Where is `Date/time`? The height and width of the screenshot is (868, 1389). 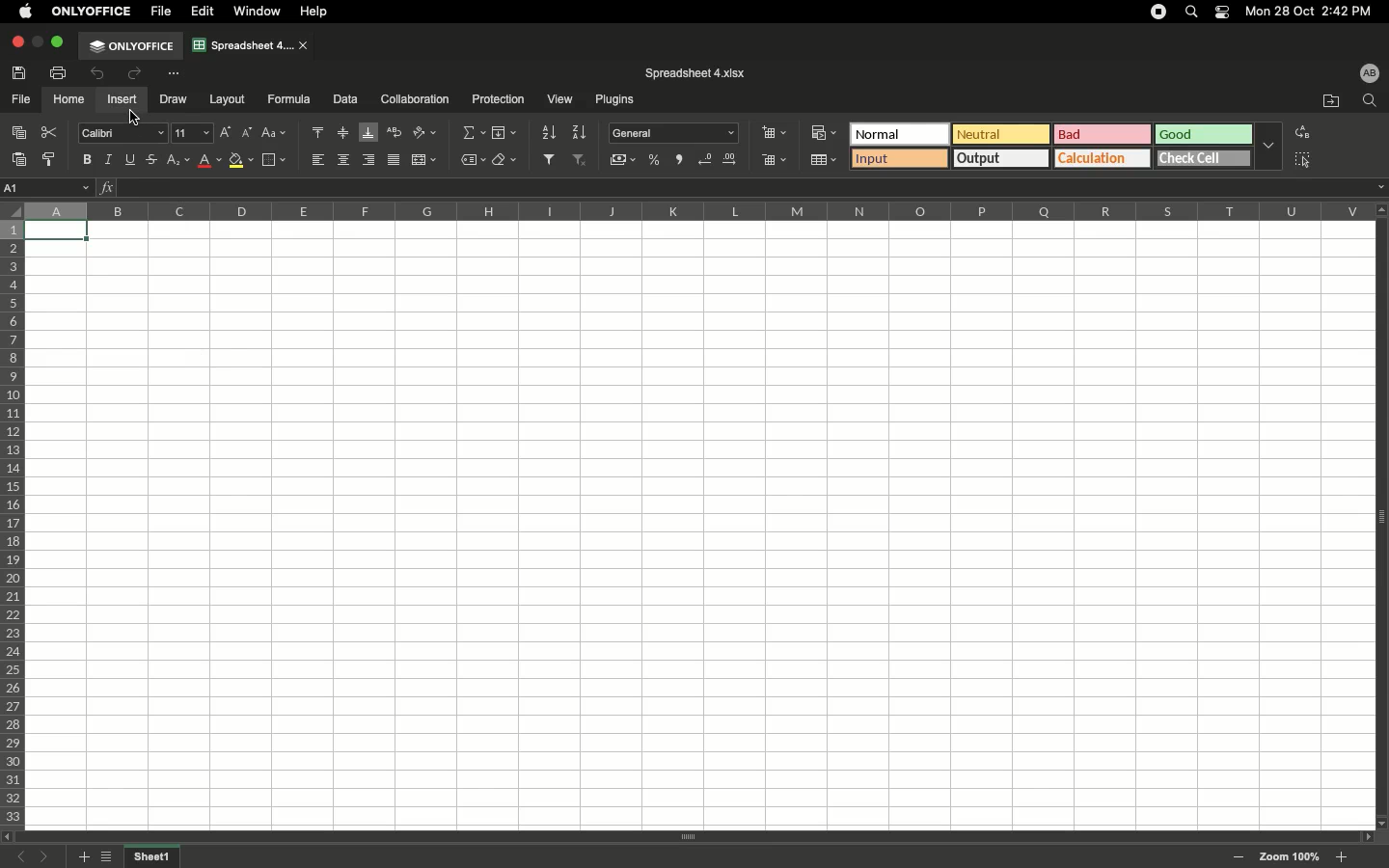 Date/time is located at coordinates (1316, 11).